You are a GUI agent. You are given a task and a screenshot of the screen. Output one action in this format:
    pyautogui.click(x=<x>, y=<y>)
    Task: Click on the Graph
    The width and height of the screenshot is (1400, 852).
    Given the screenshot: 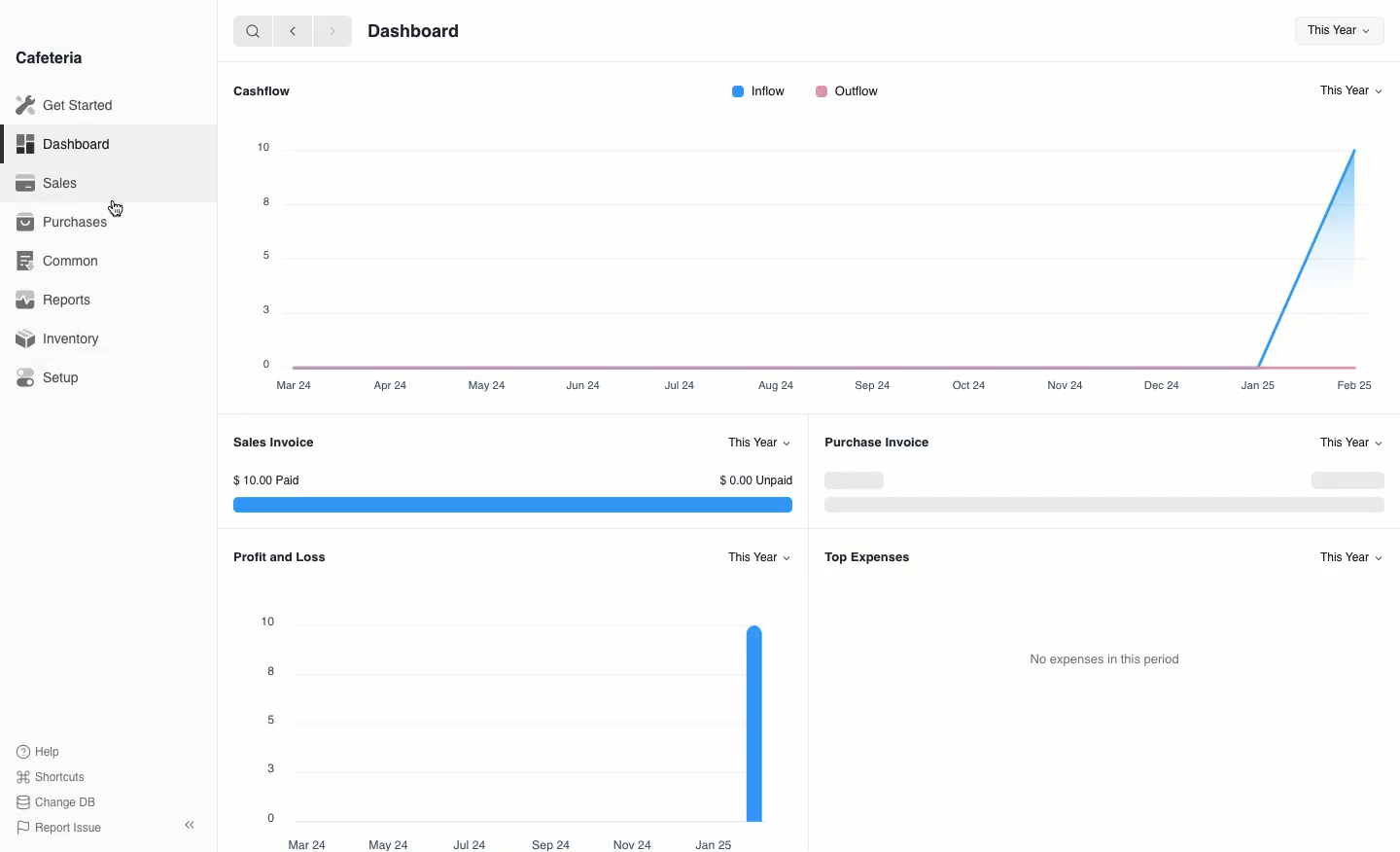 What is the action you would take?
    pyautogui.click(x=832, y=248)
    